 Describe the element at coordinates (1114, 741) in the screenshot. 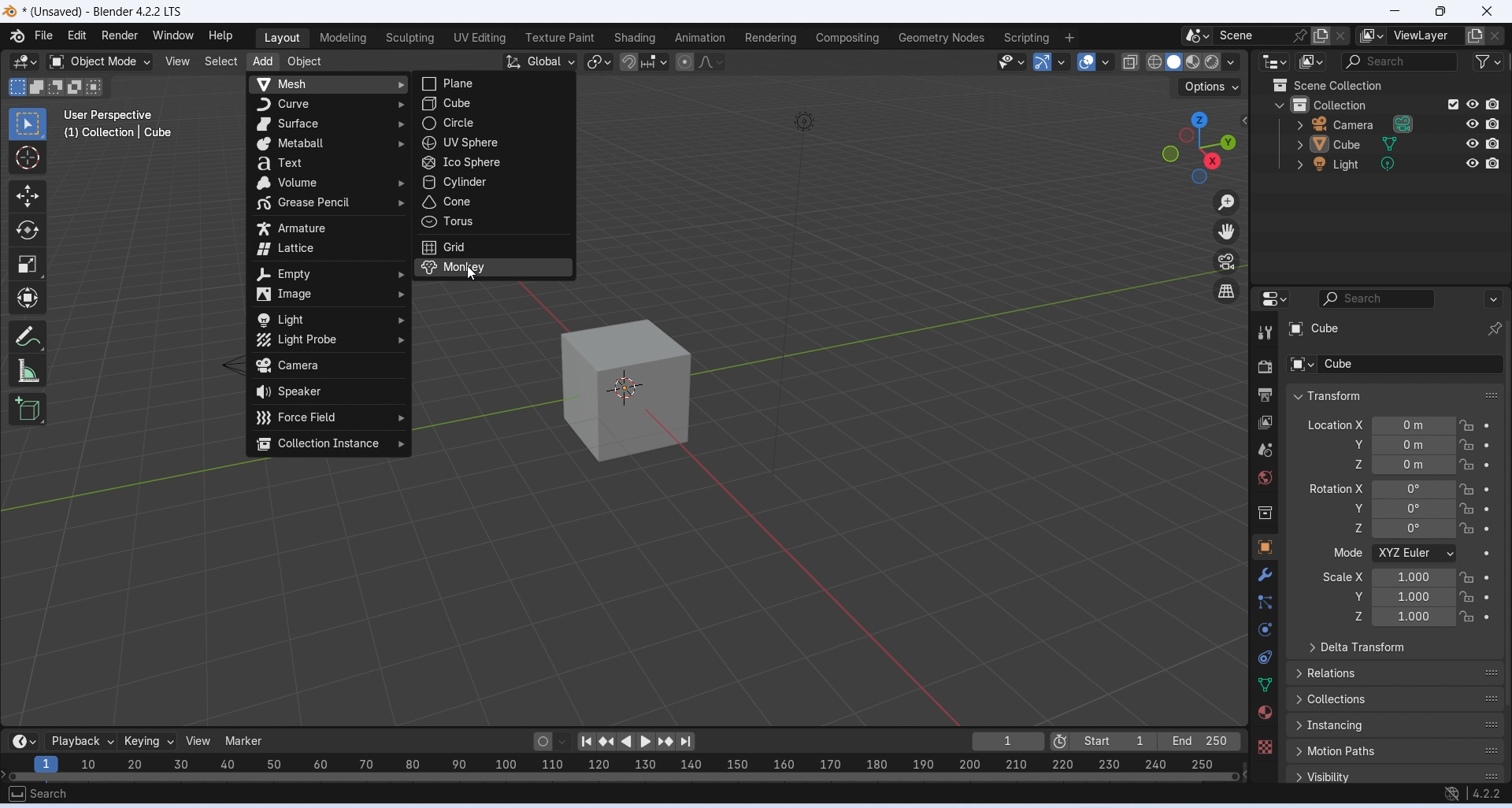

I see `Start 1` at that location.